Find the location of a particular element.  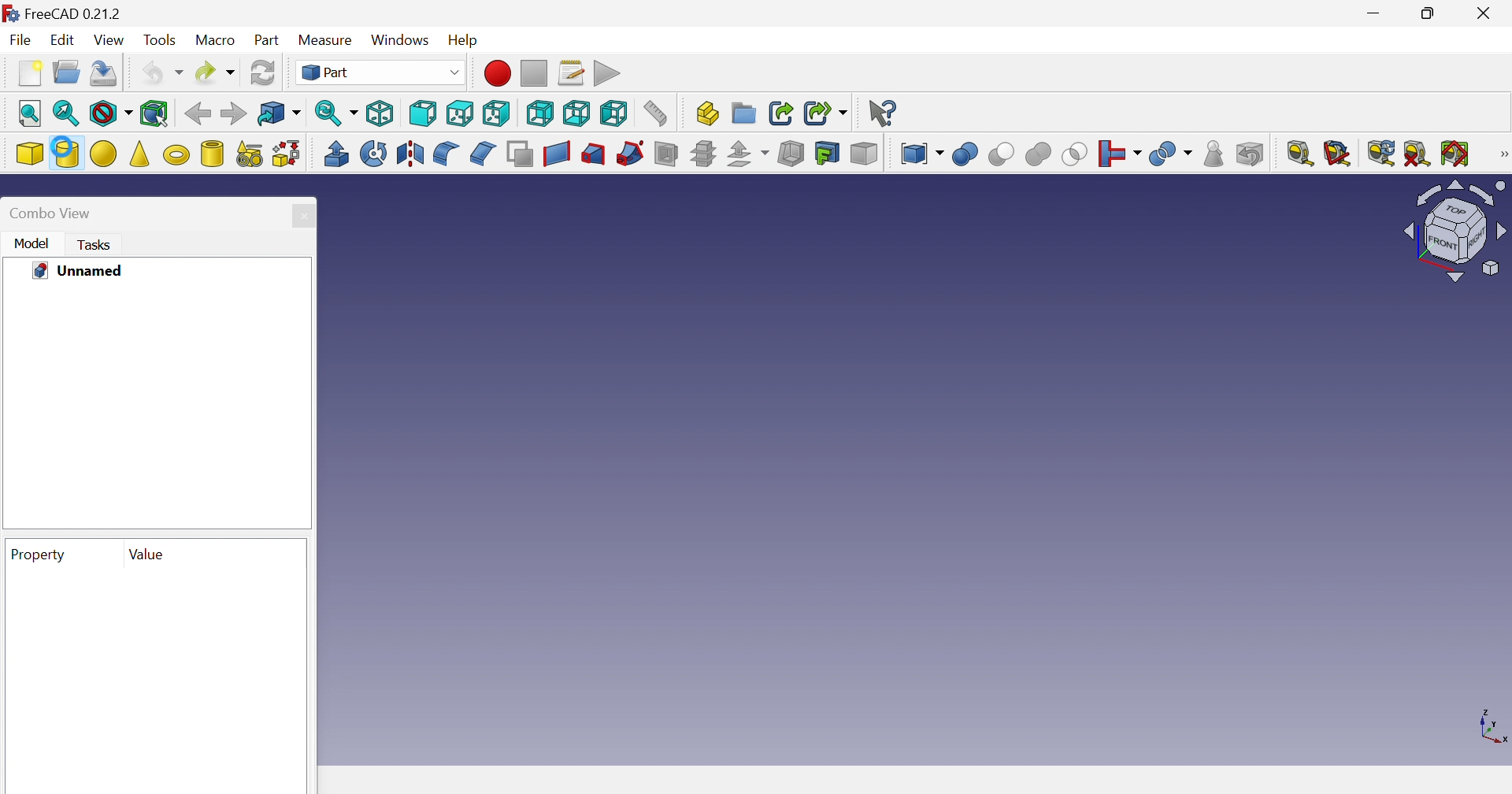

Refresh  is located at coordinates (1382, 153).